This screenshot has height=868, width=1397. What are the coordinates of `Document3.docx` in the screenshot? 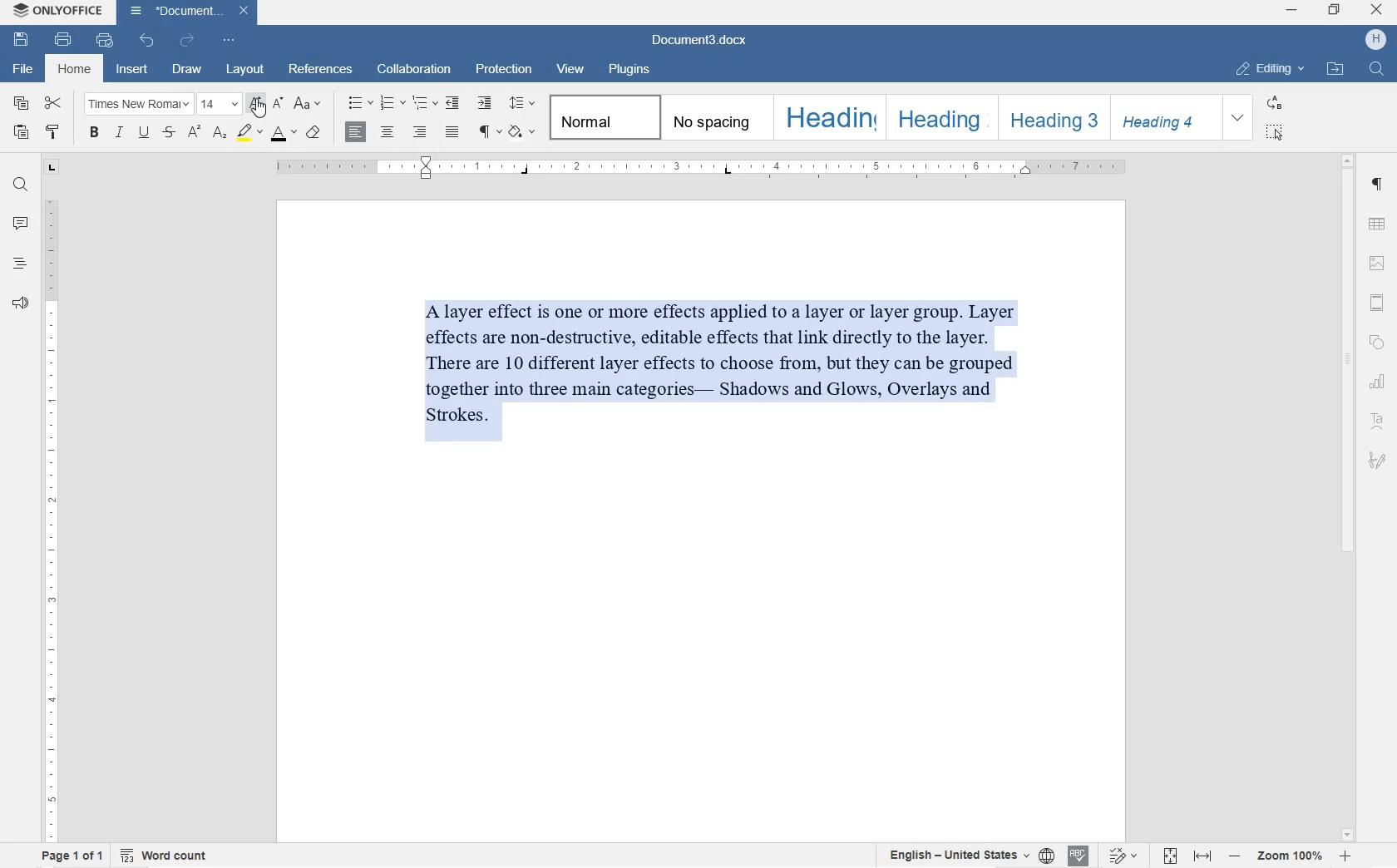 It's located at (188, 12).